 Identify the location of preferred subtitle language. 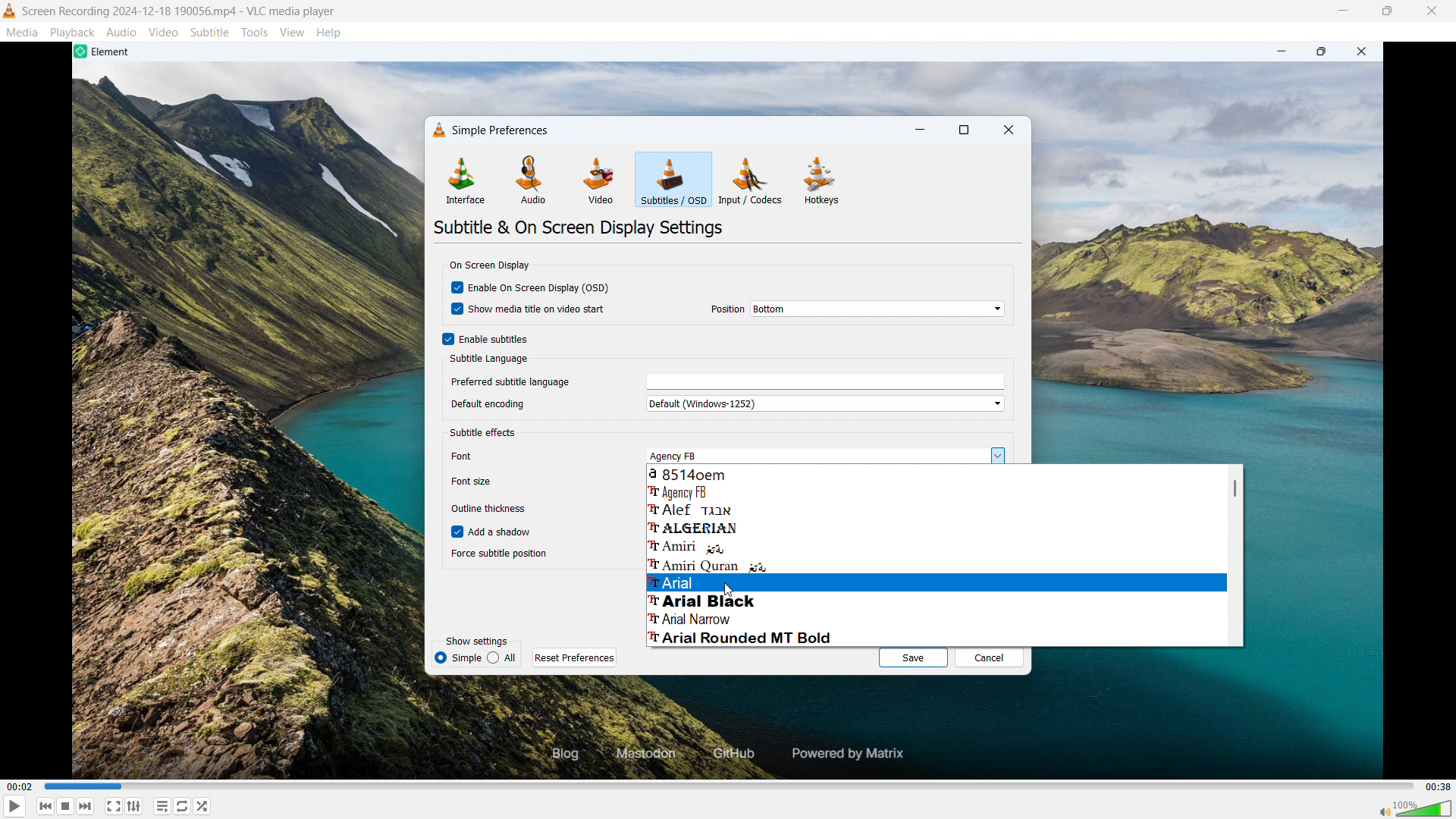
(825, 383).